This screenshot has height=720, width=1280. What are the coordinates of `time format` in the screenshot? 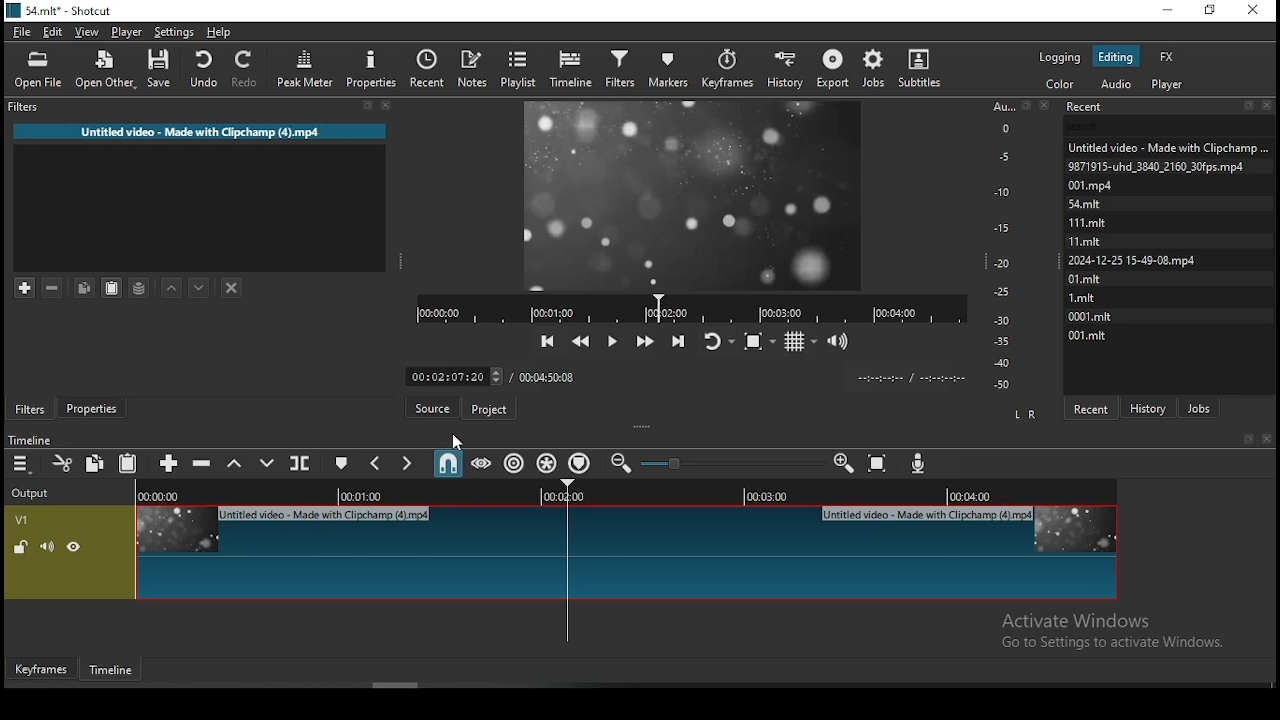 It's located at (915, 378).